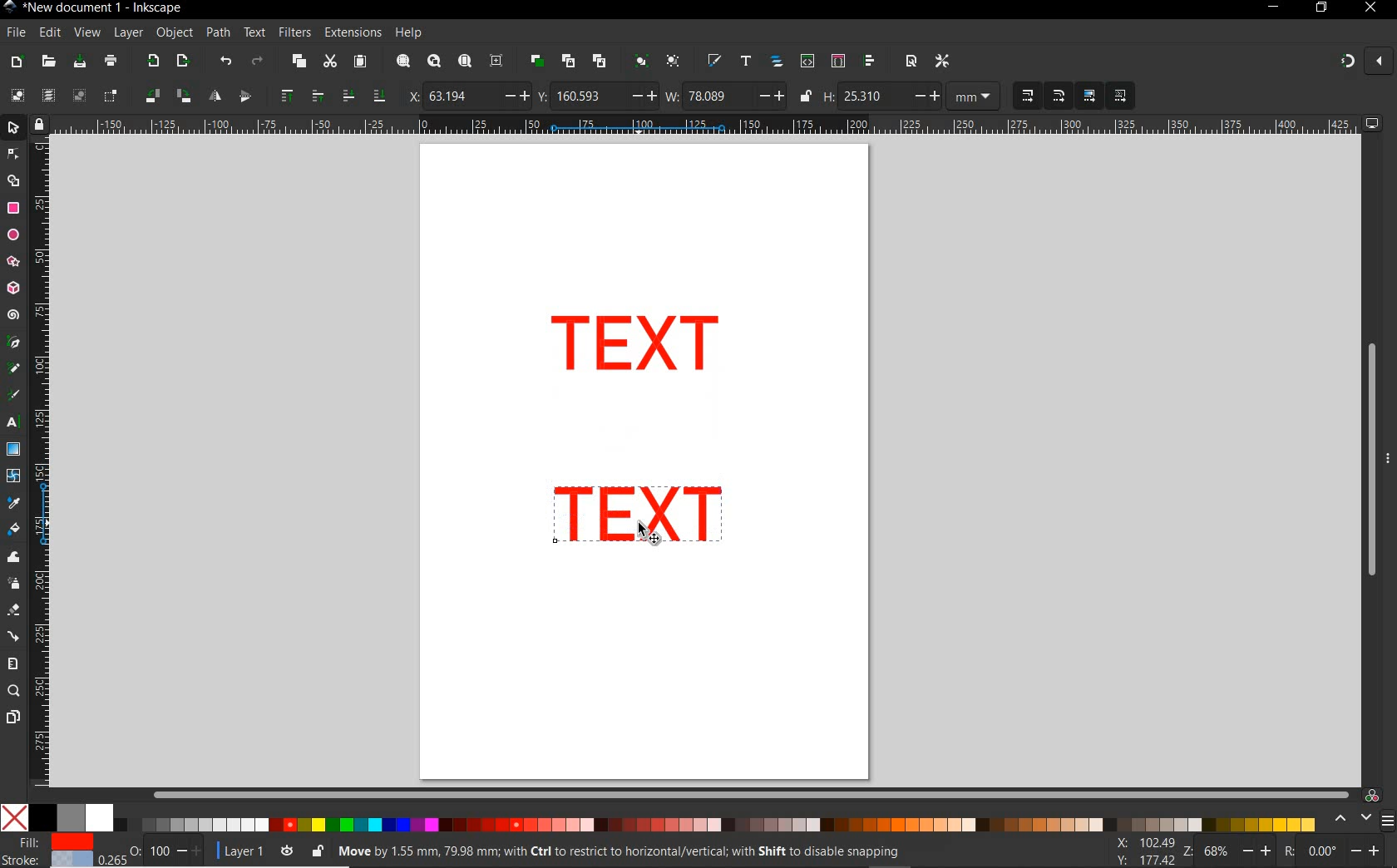 The width and height of the screenshot is (1397, 868). Describe the element at coordinates (166, 96) in the screenshot. I see `object rotate` at that location.